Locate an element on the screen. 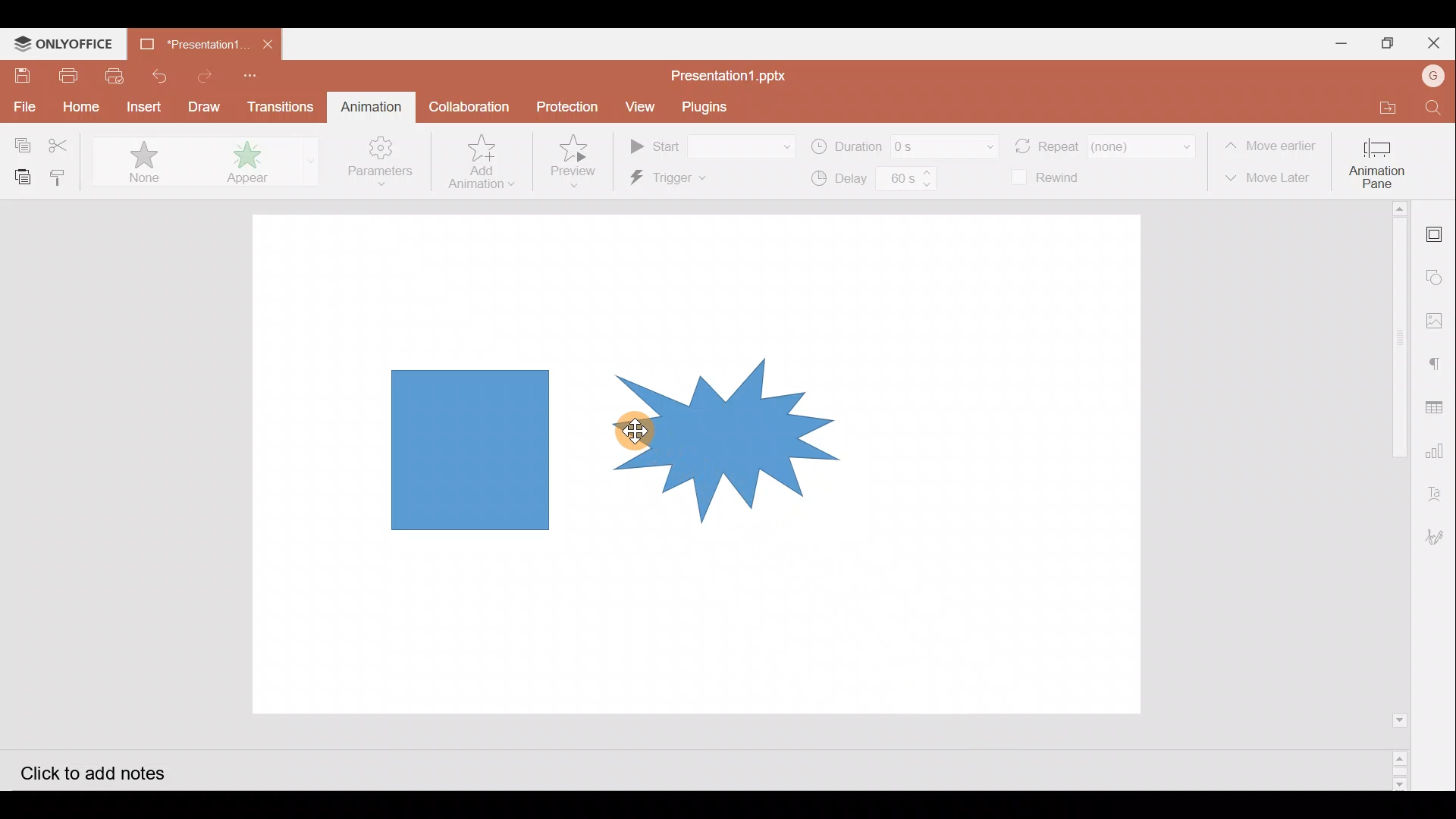 The image size is (1456, 819). Save is located at coordinates (22, 76).